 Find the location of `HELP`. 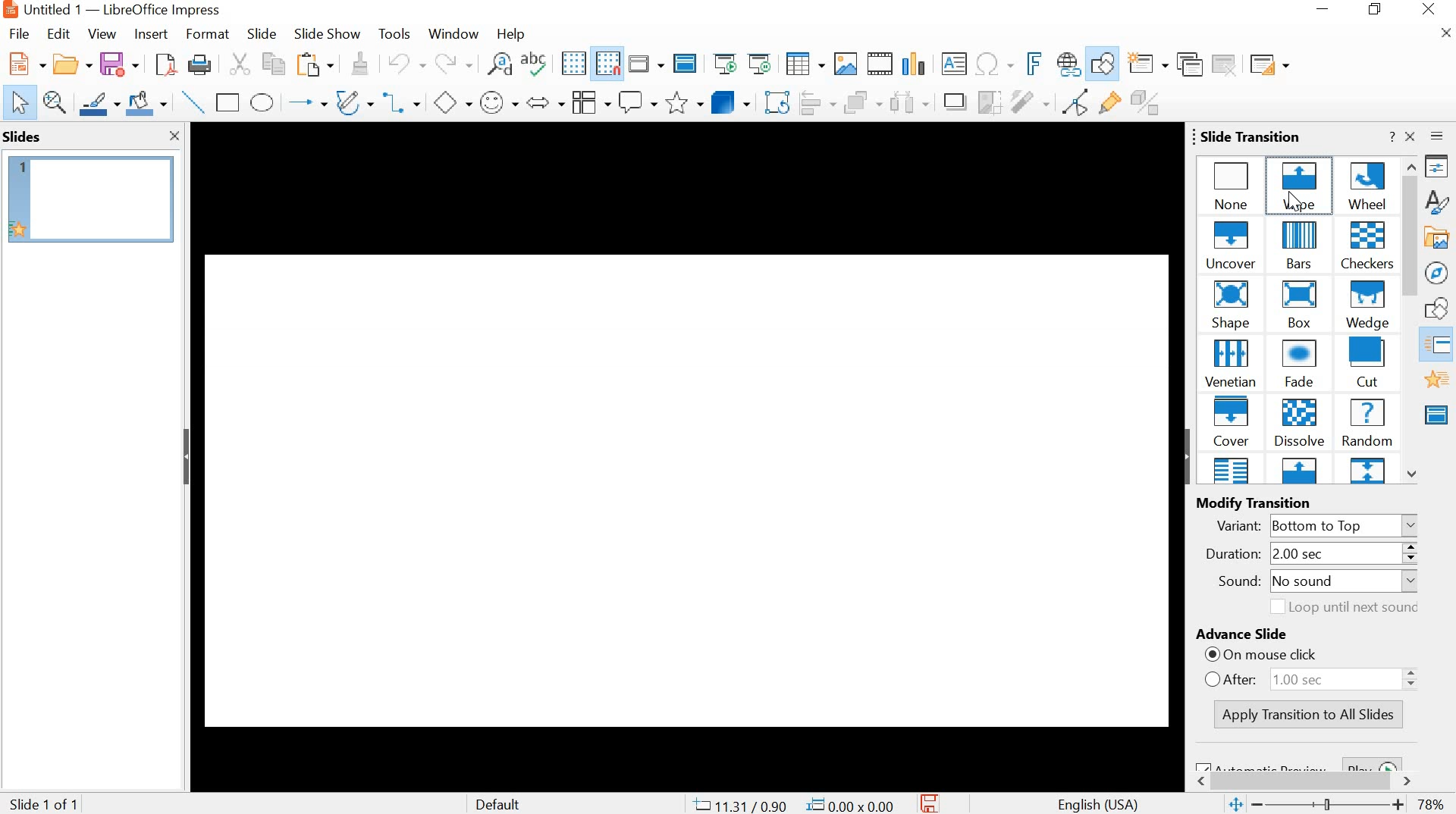

HELP is located at coordinates (510, 35).